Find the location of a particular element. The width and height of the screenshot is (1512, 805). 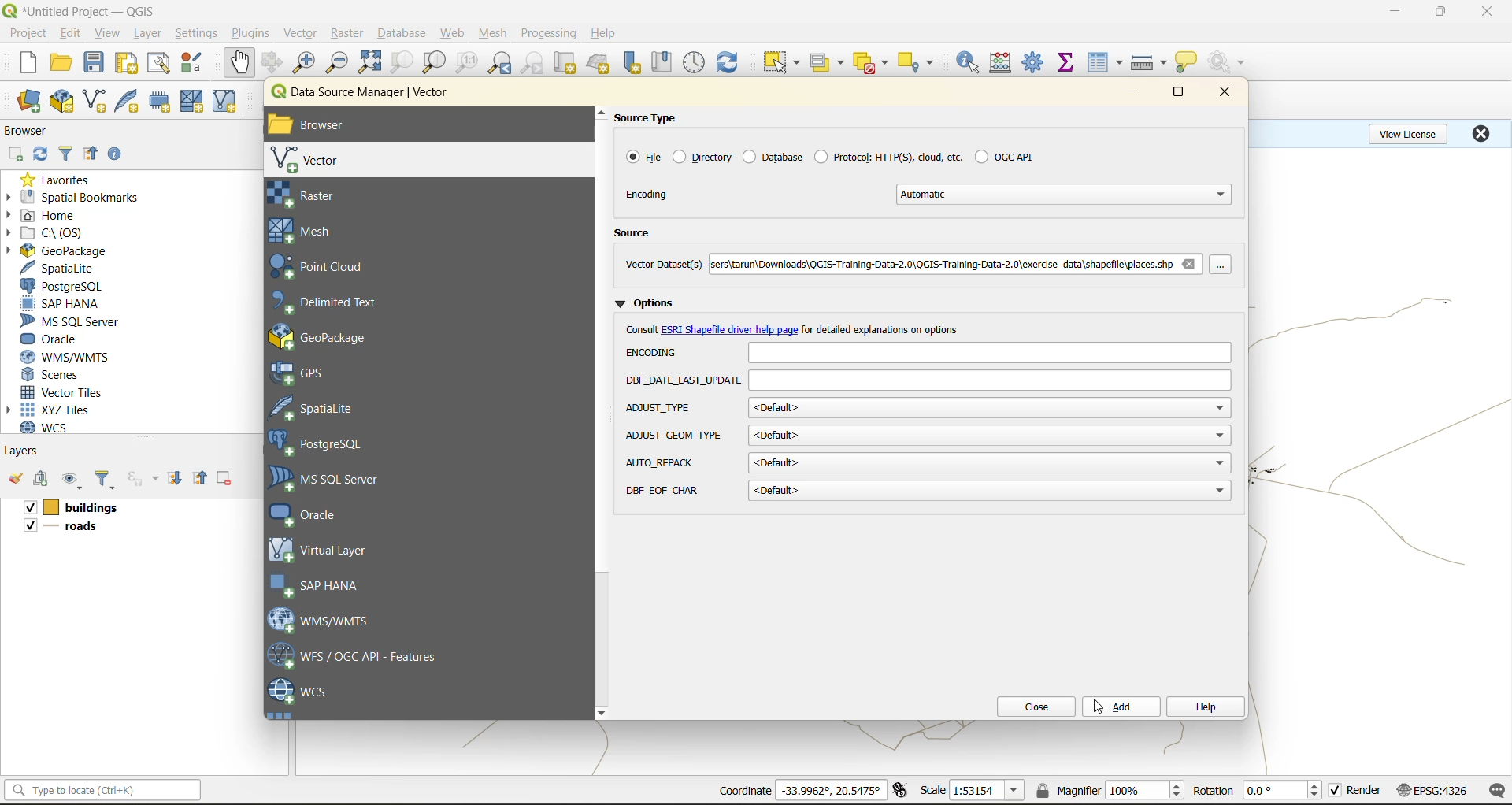

delimited text is located at coordinates (333, 302).